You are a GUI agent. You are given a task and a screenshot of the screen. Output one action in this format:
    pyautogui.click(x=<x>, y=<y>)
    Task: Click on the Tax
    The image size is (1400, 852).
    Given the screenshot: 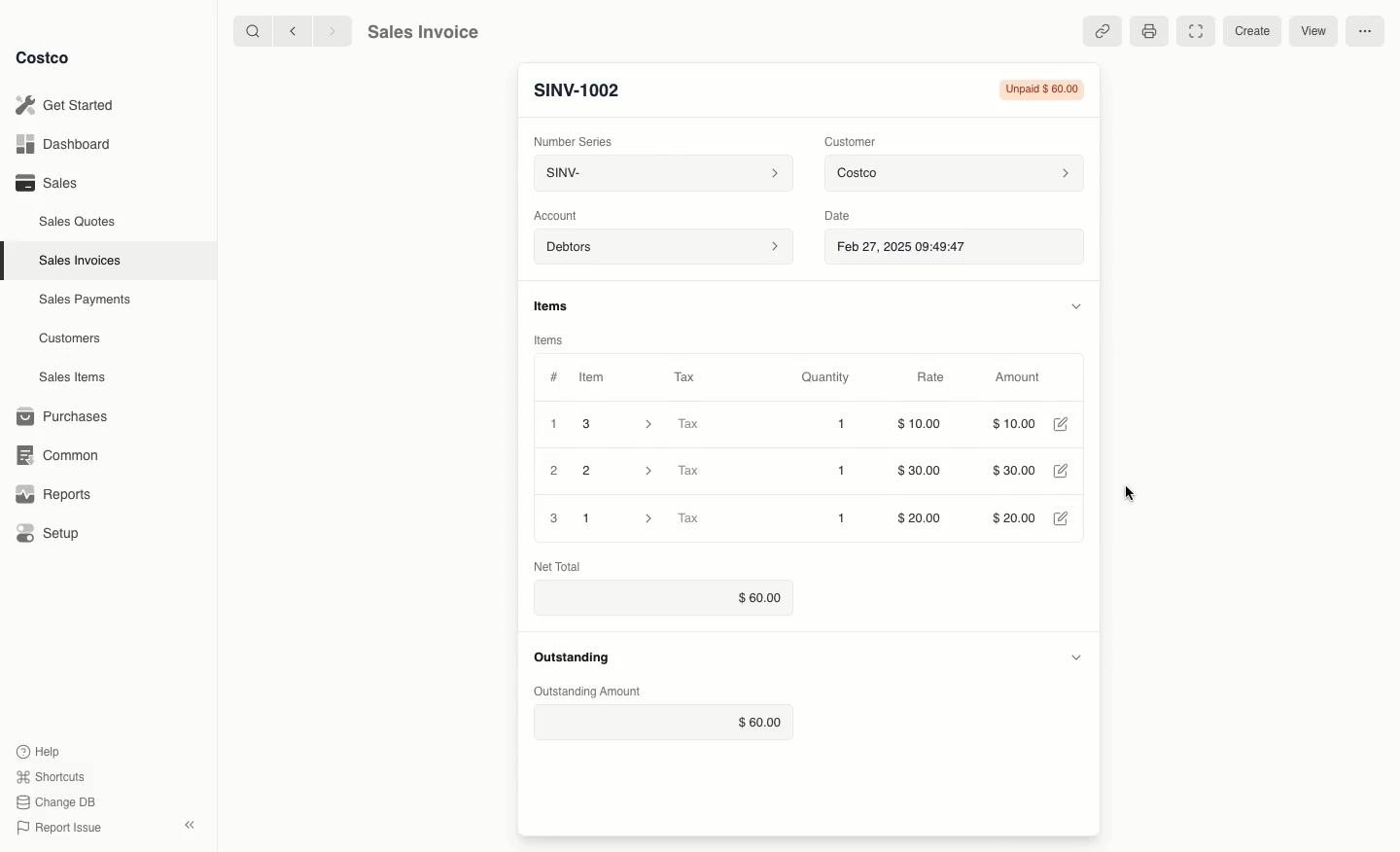 What is the action you would take?
    pyautogui.click(x=714, y=519)
    